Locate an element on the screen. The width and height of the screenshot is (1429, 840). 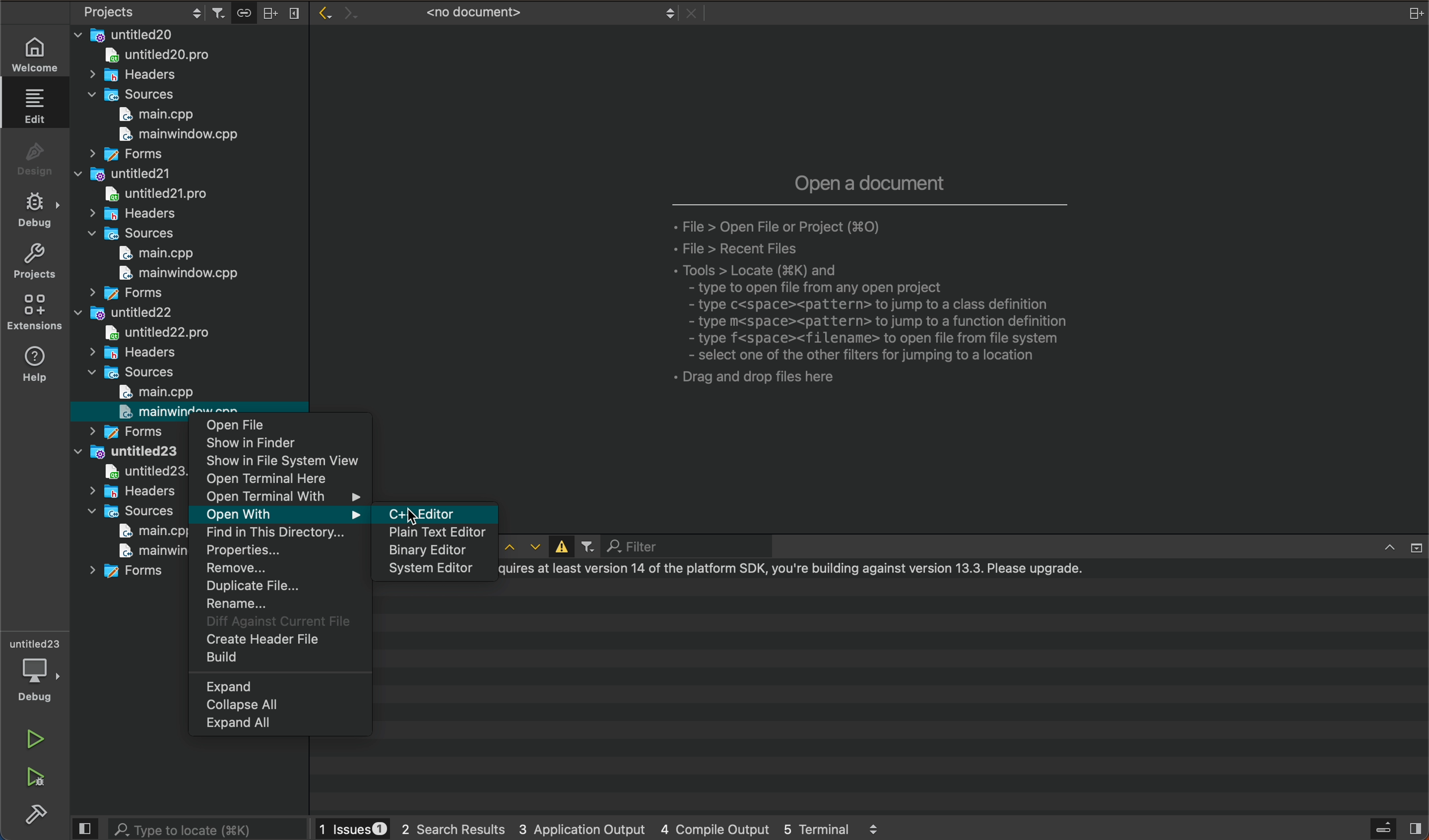
duplicate file is located at coordinates (280, 587).